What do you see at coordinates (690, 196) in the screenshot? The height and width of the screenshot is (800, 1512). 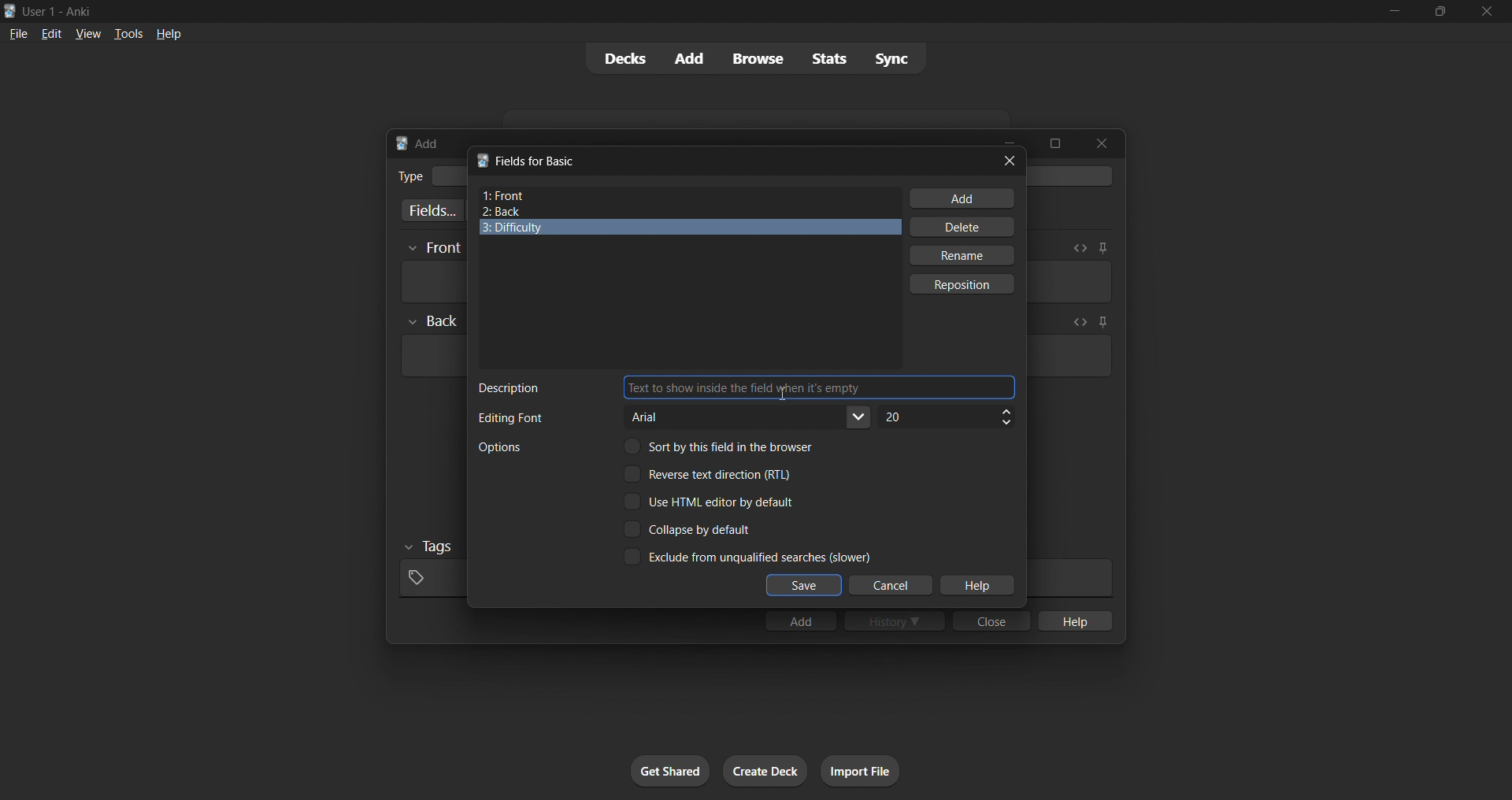 I see `front field` at bounding box center [690, 196].